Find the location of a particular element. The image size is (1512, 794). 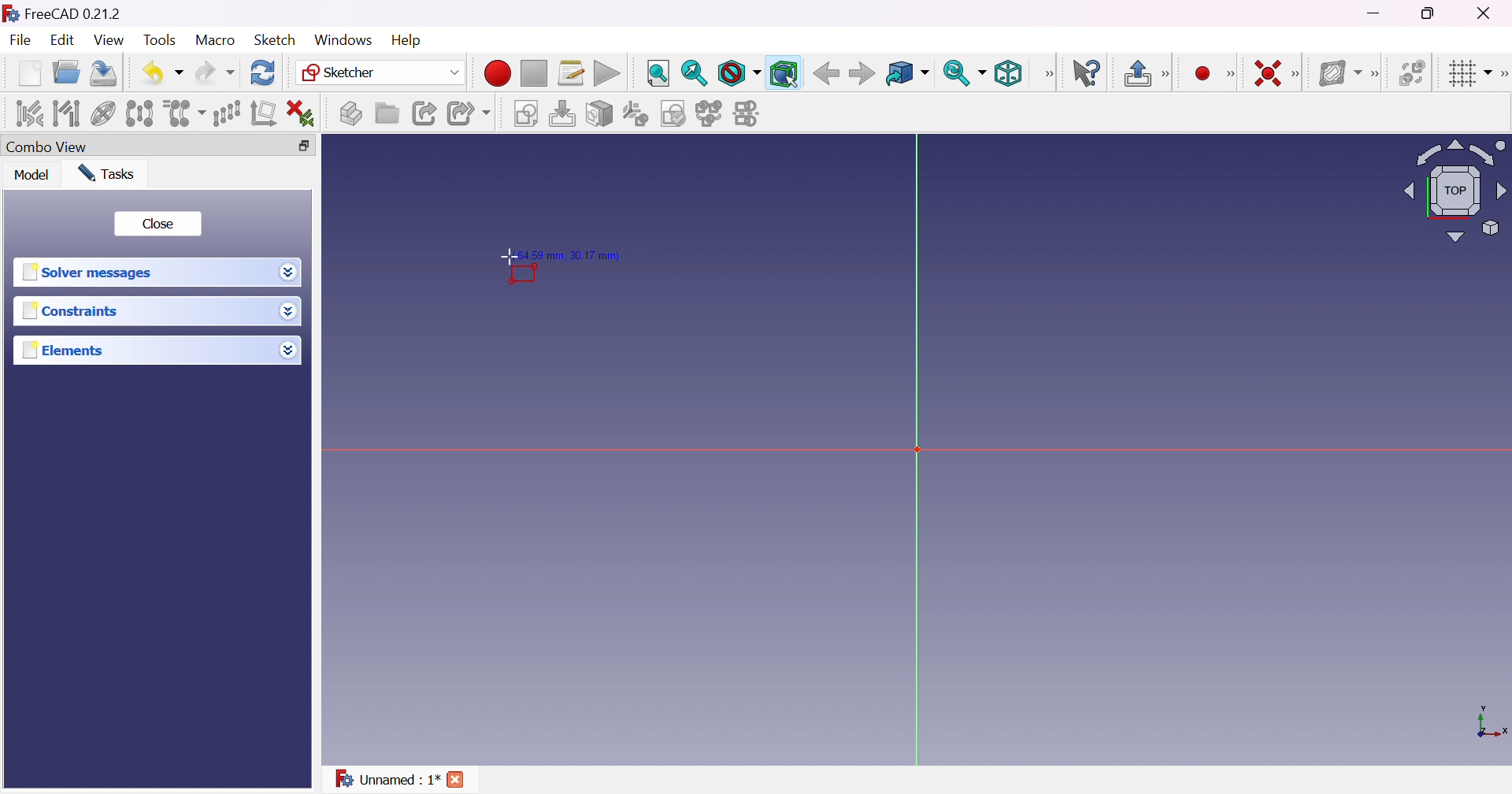

[Sketcher edit mode] is located at coordinates (1168, 72).